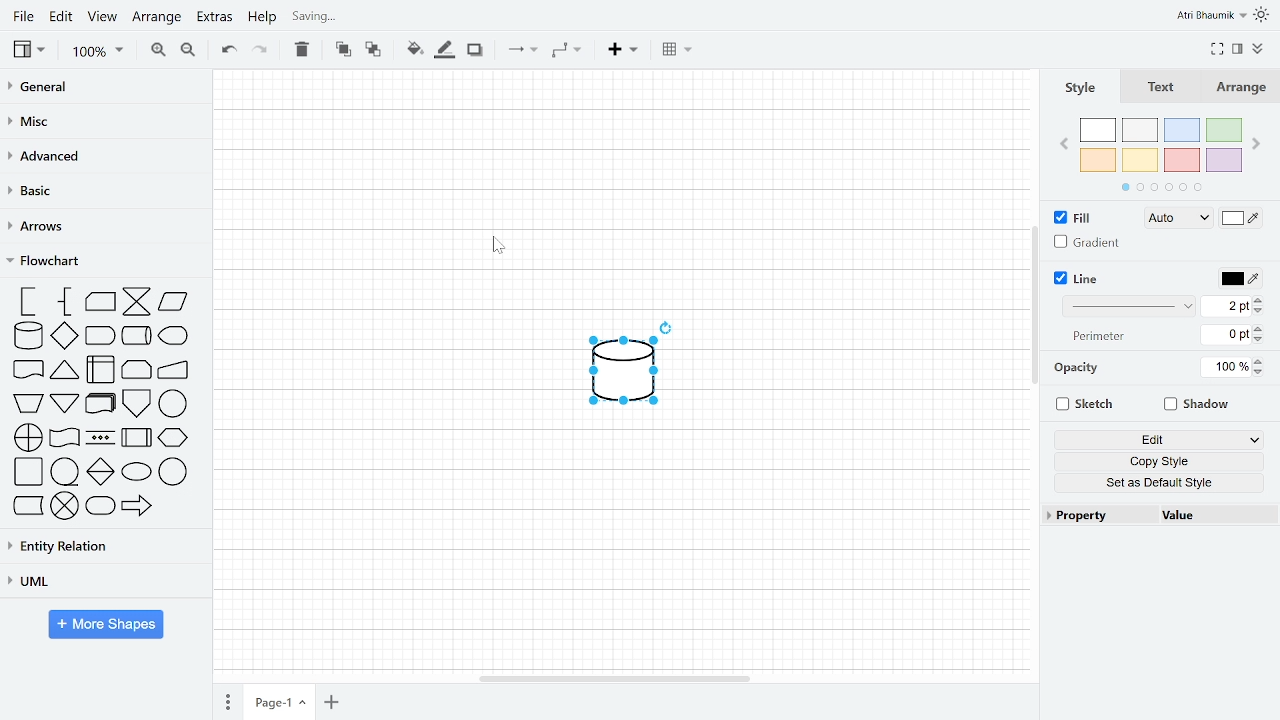 This screenshot has height=720, width=1280. What do you see at coordinates (1261, 300) in the screenshot?
I see `Line width` at bounding box center [1261, 300].